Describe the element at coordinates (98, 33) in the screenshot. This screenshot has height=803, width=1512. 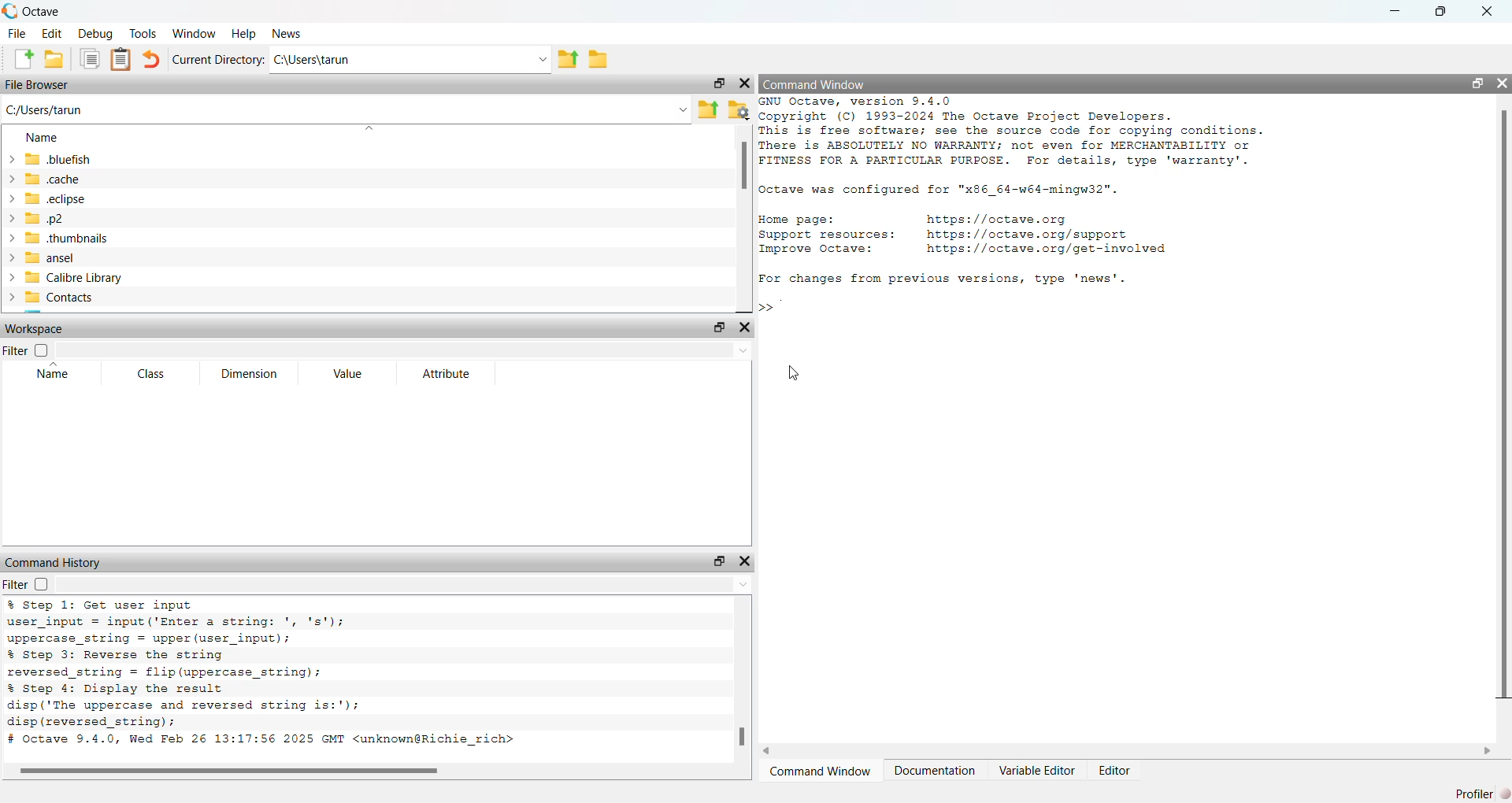
I see `debug` at that location.